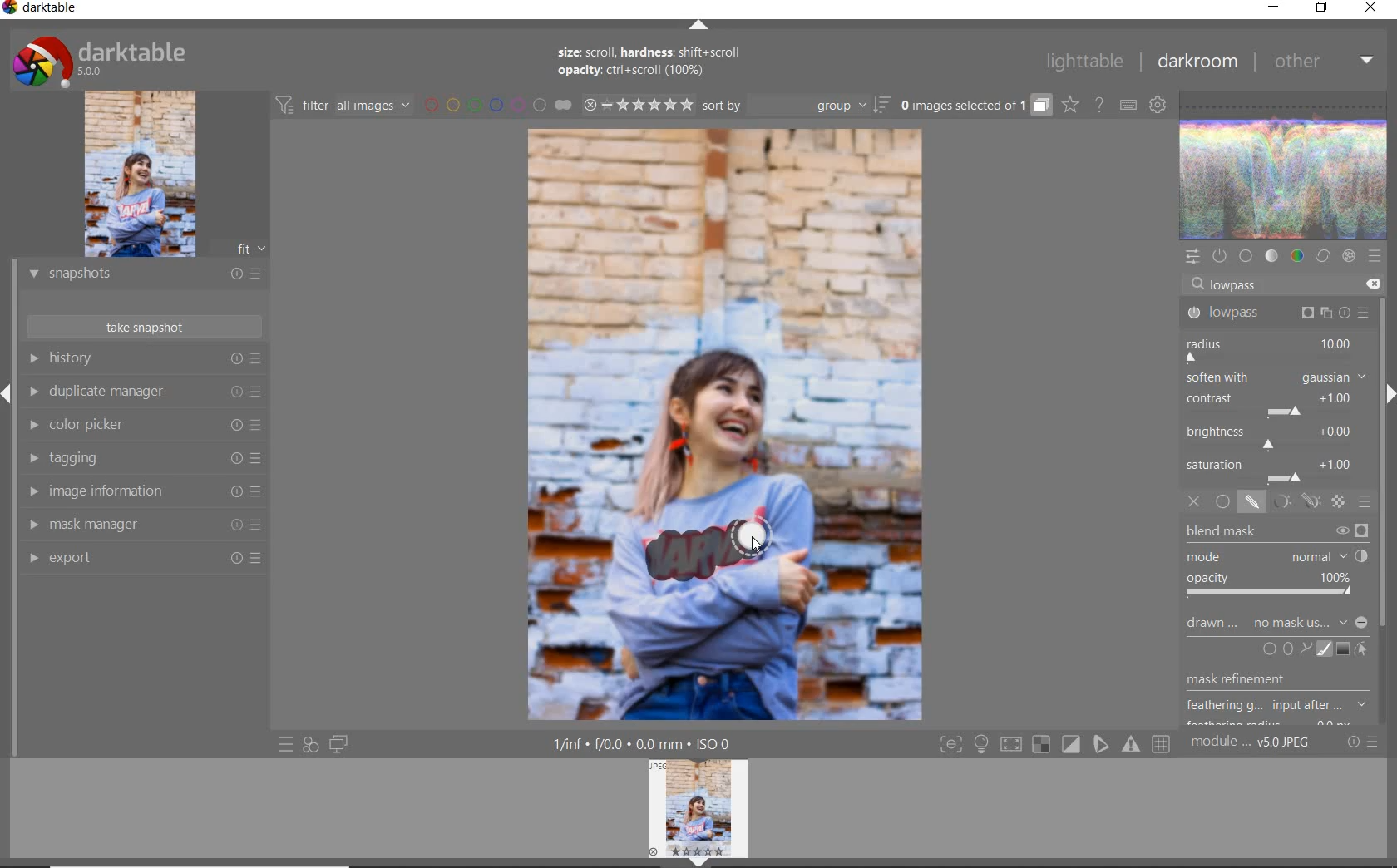 The width and height of the screenshot is (1397, 868). I want to click on radius, so click(1271, 348).